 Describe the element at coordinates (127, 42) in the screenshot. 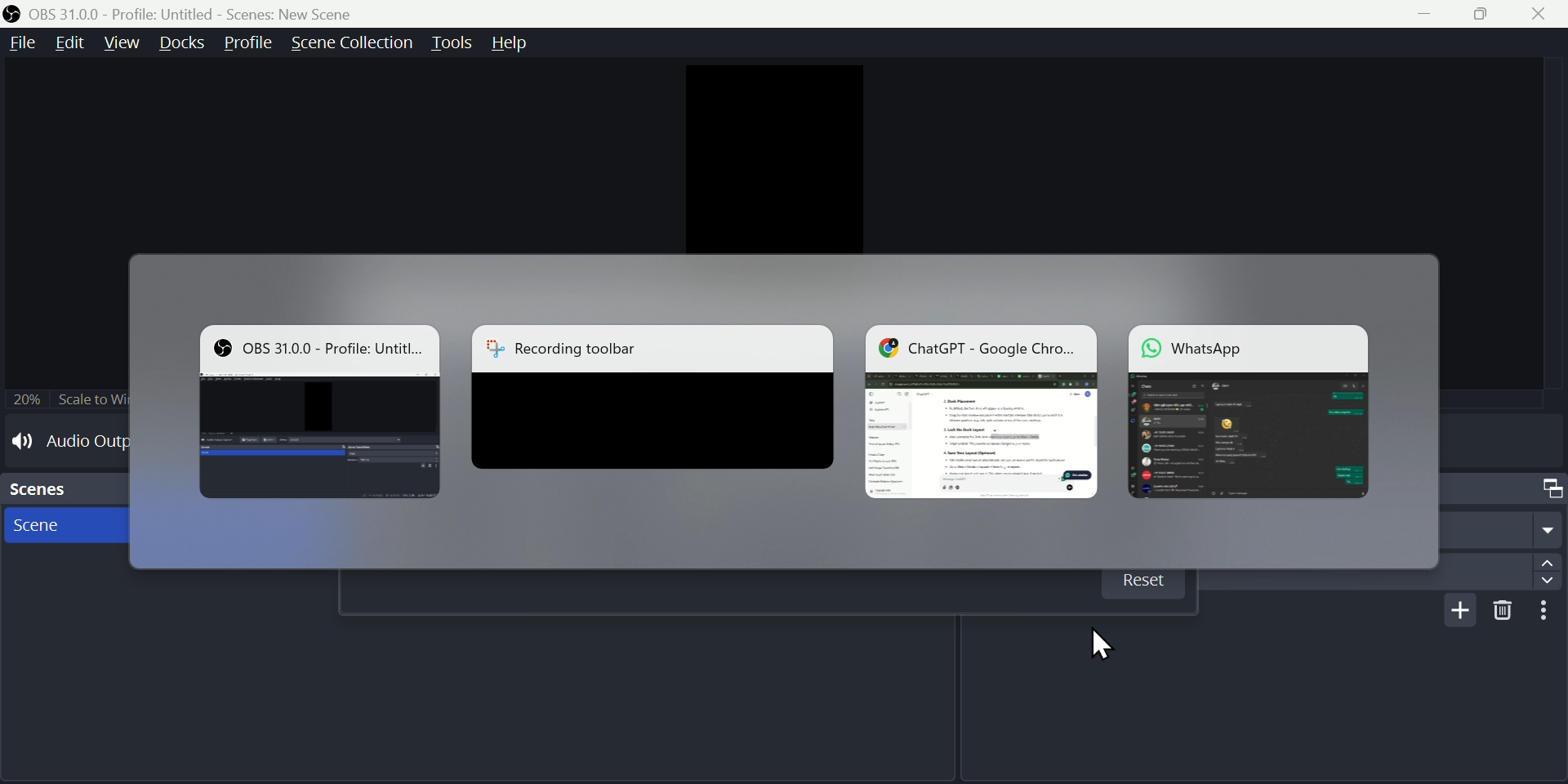

I see `view` at that location.